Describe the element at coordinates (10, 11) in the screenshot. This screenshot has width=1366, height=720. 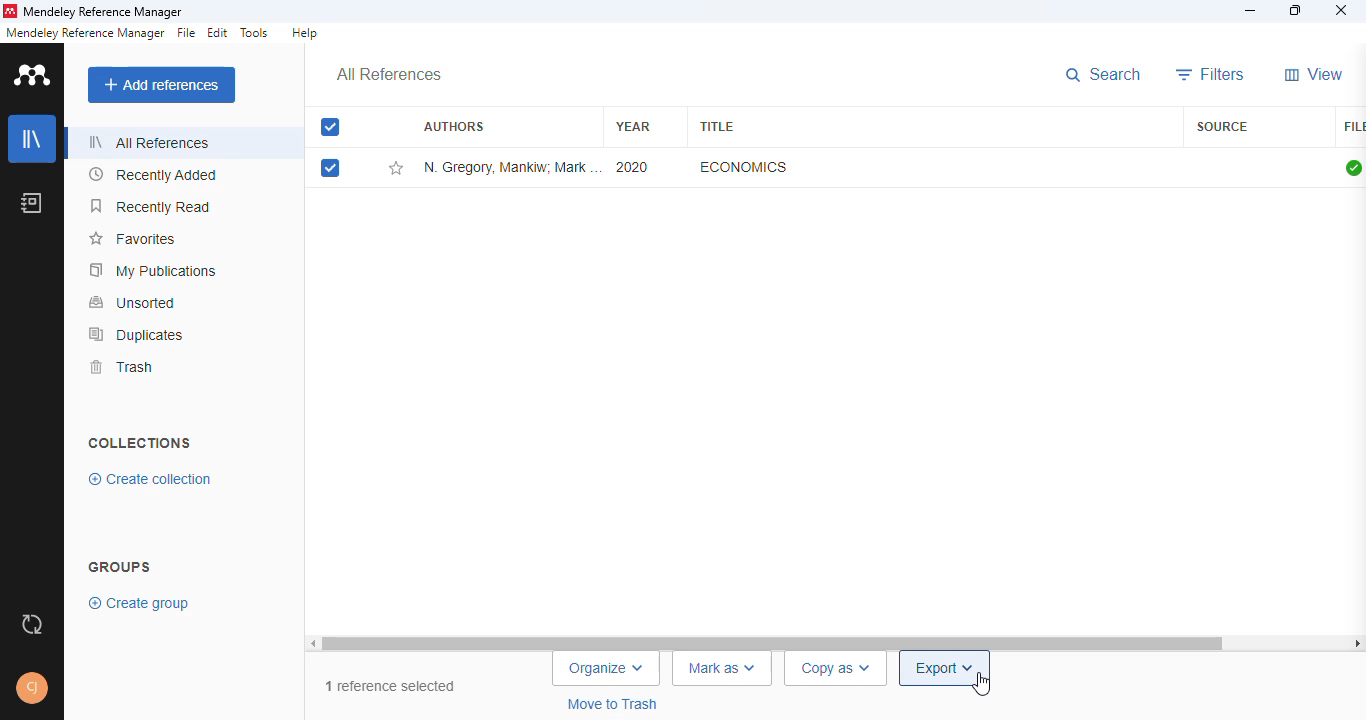
I see `logo` at that location.